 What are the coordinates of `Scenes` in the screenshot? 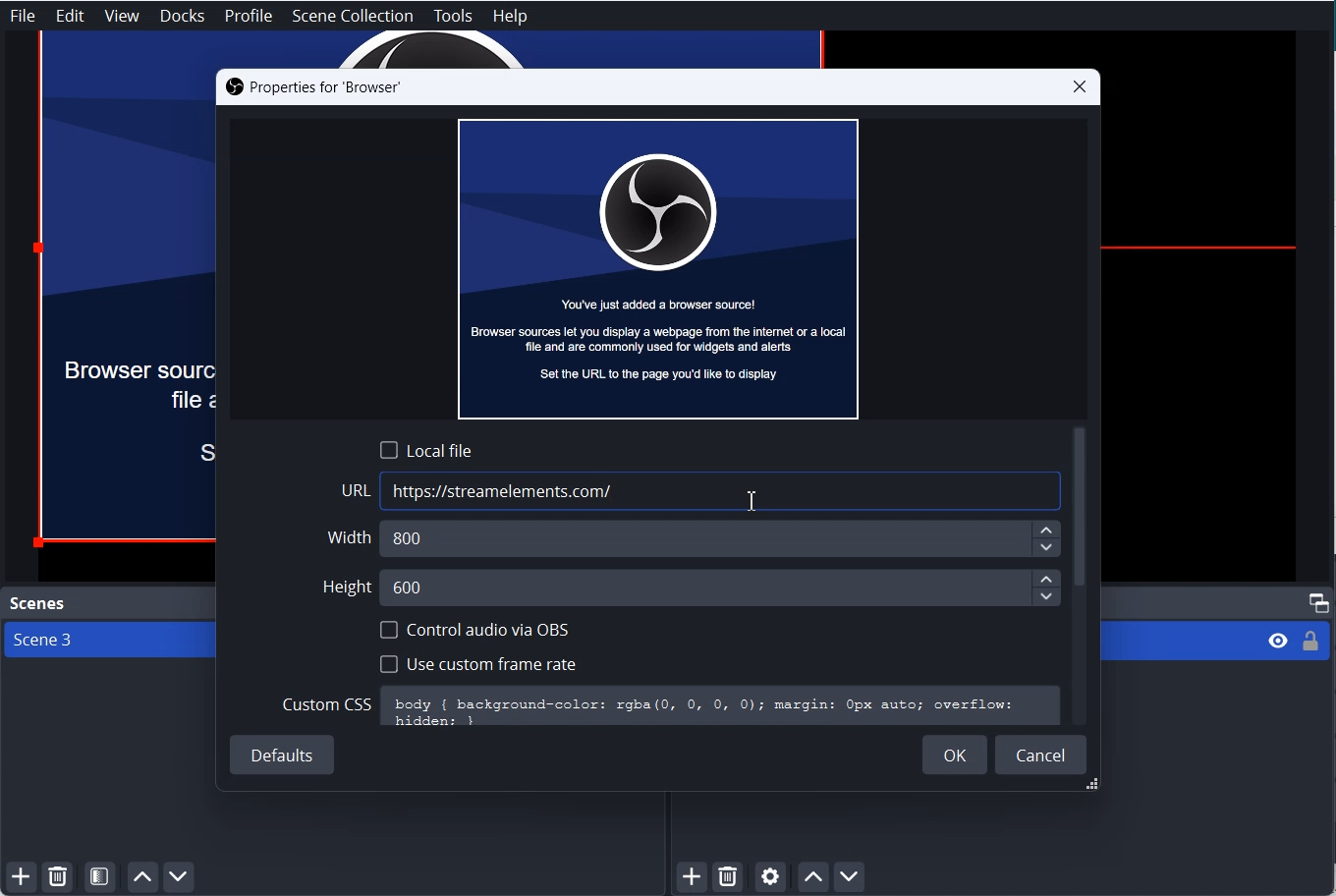 It's located at (35, 603).